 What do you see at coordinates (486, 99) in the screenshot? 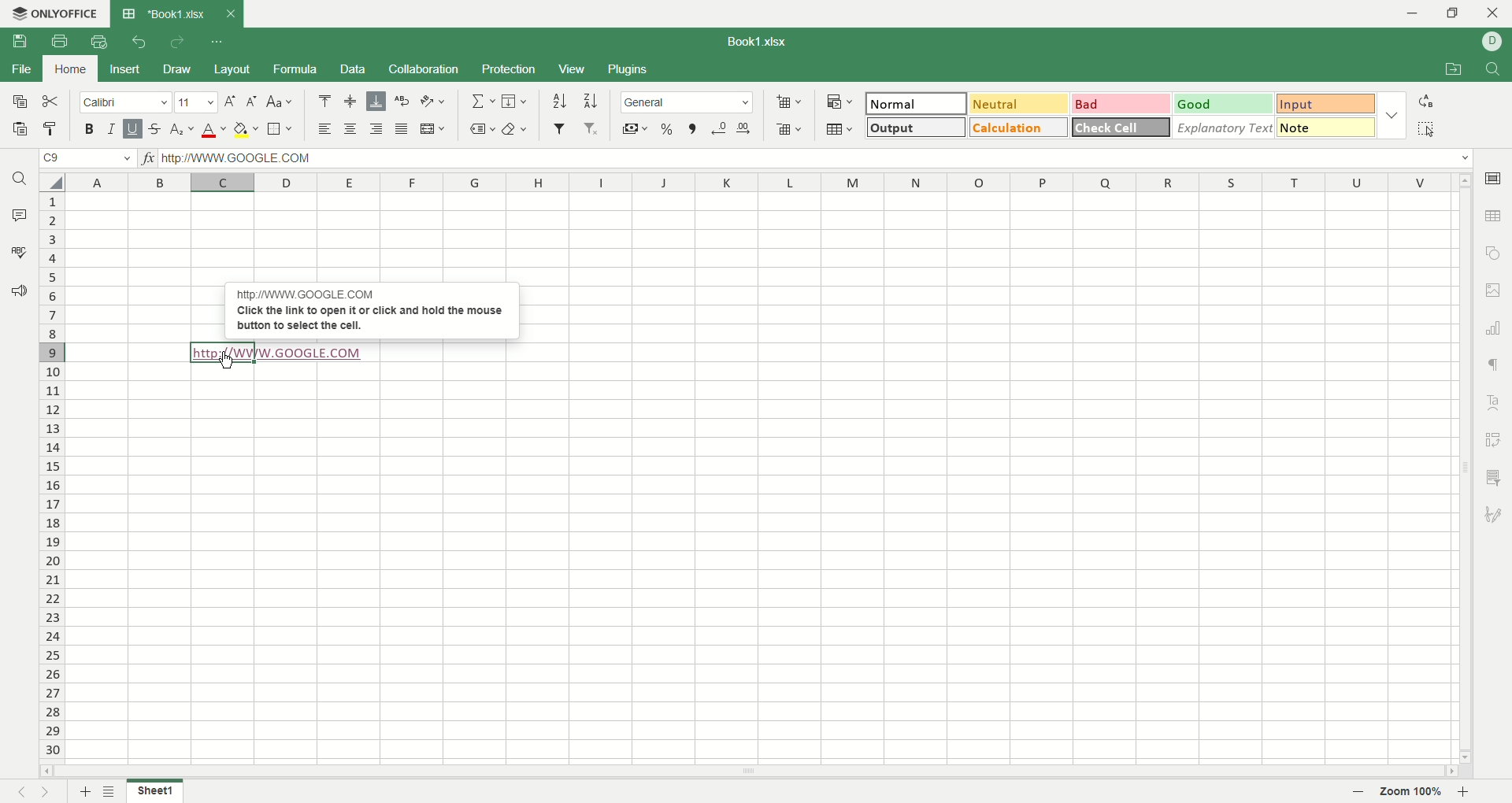
I see `summation` at bounding box center [486, 99].